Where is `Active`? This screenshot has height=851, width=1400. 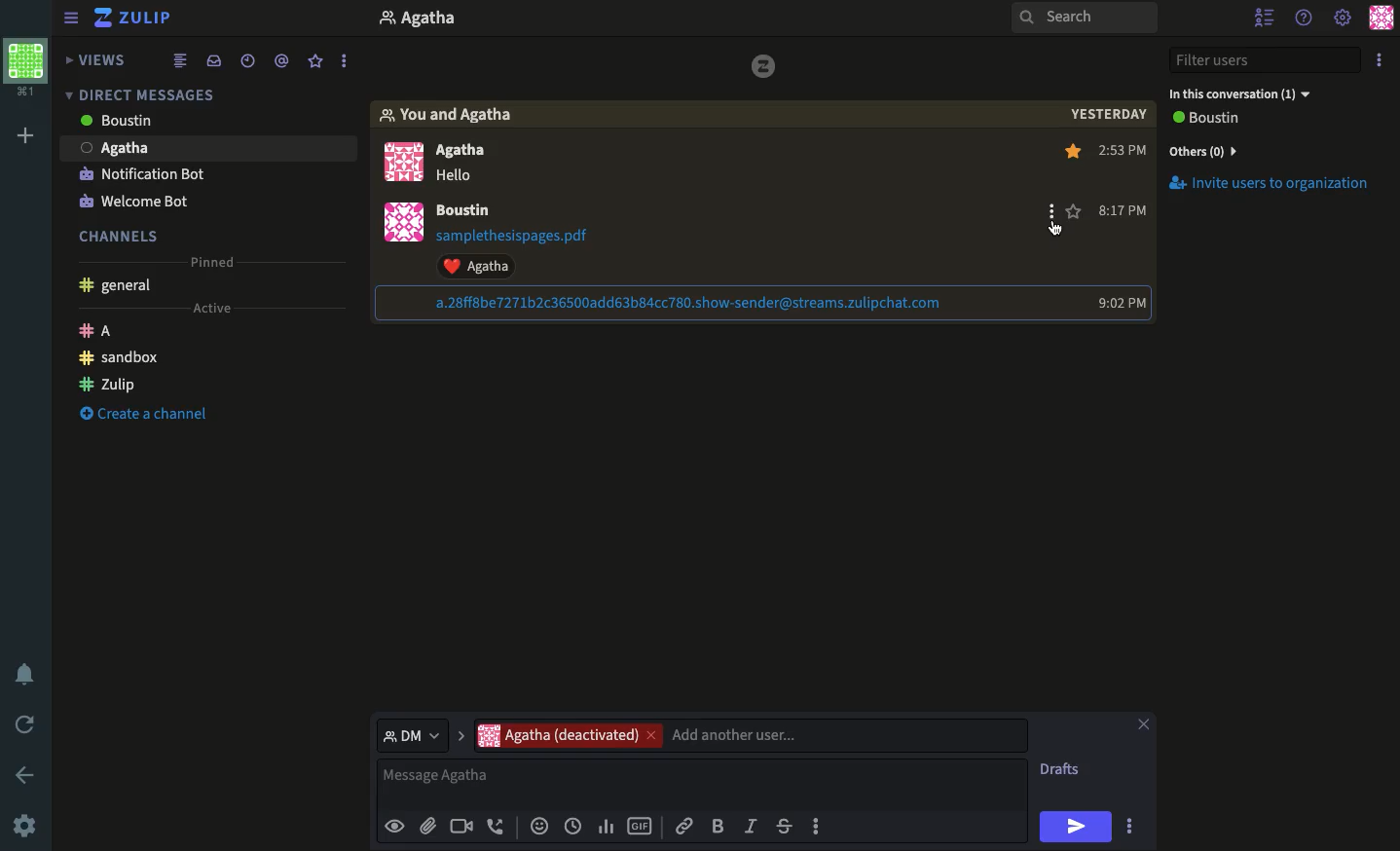 Active is located at coordinates (209, 309).